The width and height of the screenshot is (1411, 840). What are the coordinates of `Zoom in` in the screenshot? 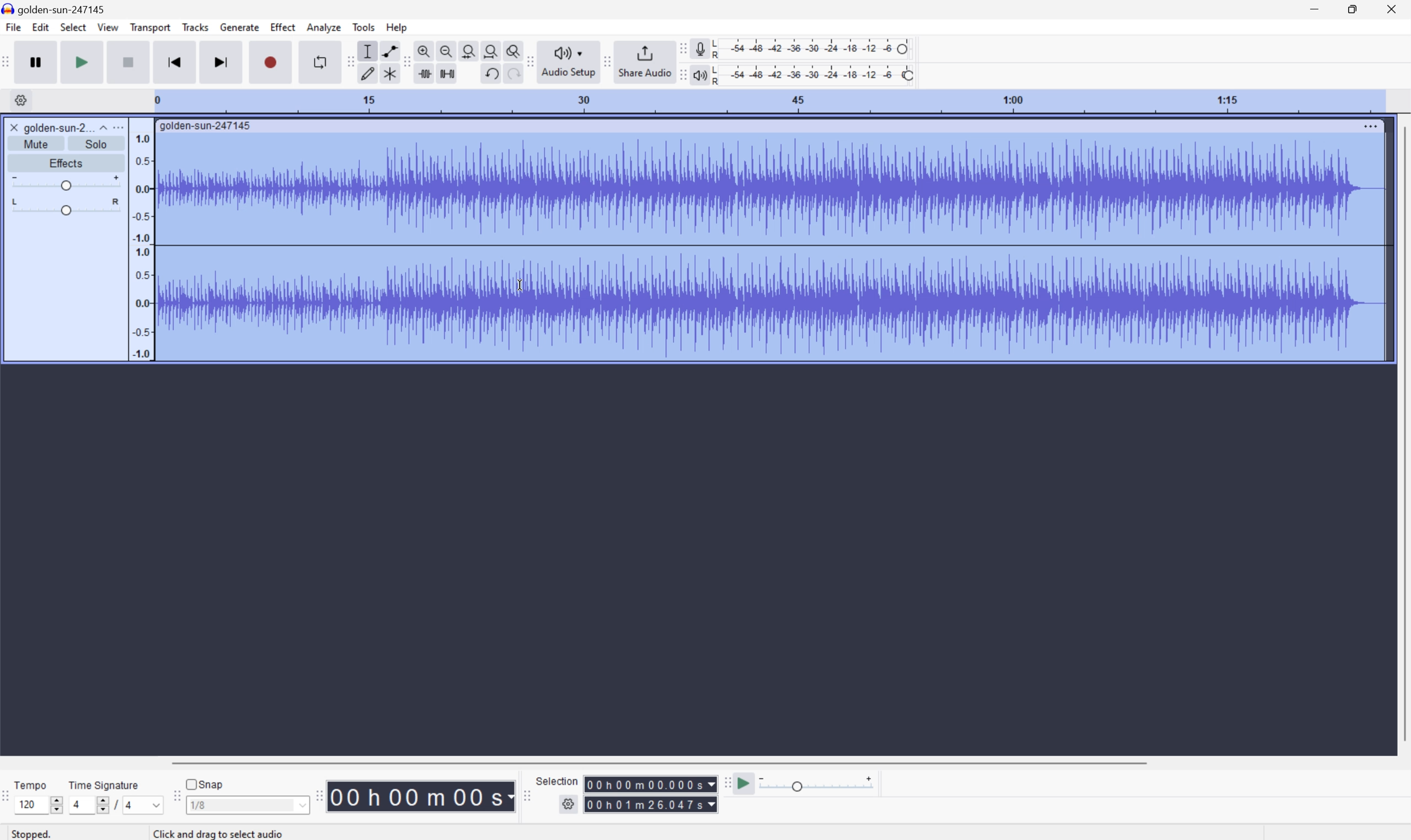 It's located at (426, 48).